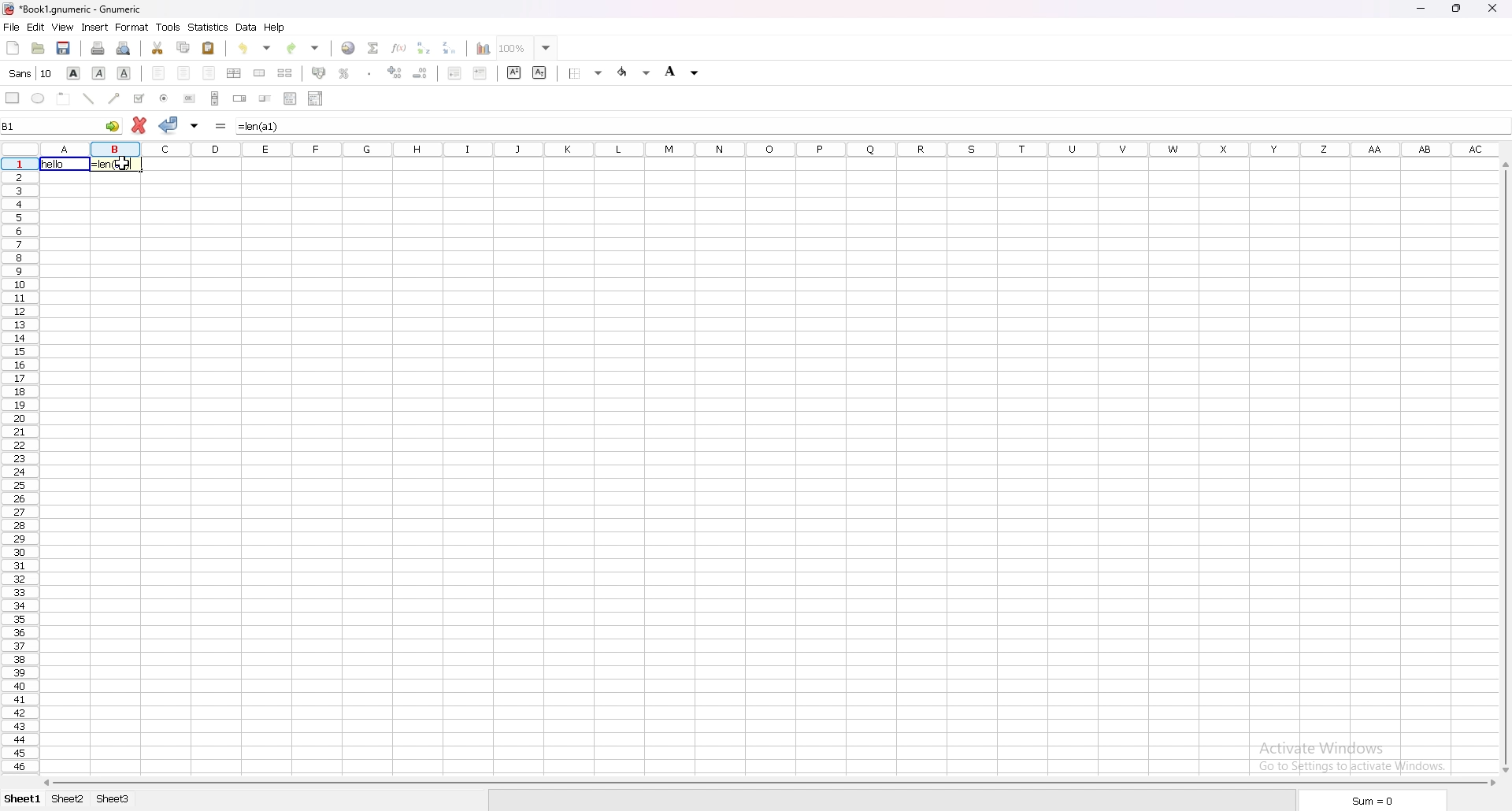 The image size is (1512, 811). I want to click on cut, so click(157, 48).